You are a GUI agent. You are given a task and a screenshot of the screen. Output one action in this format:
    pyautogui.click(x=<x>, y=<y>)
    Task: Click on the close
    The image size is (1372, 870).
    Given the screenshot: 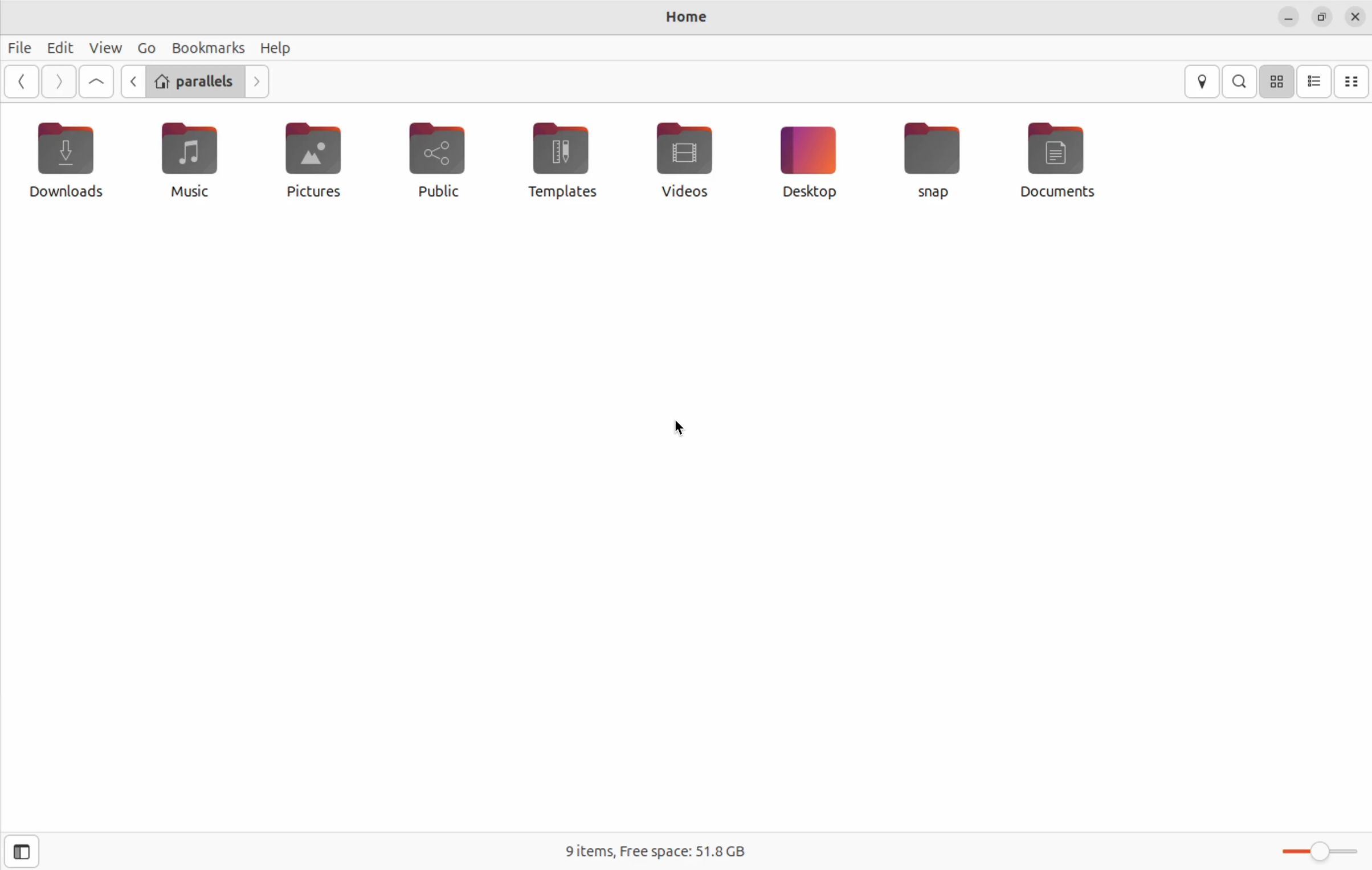 What is the action you would take?
    pyautogui.click(x=1357, y=18)
    